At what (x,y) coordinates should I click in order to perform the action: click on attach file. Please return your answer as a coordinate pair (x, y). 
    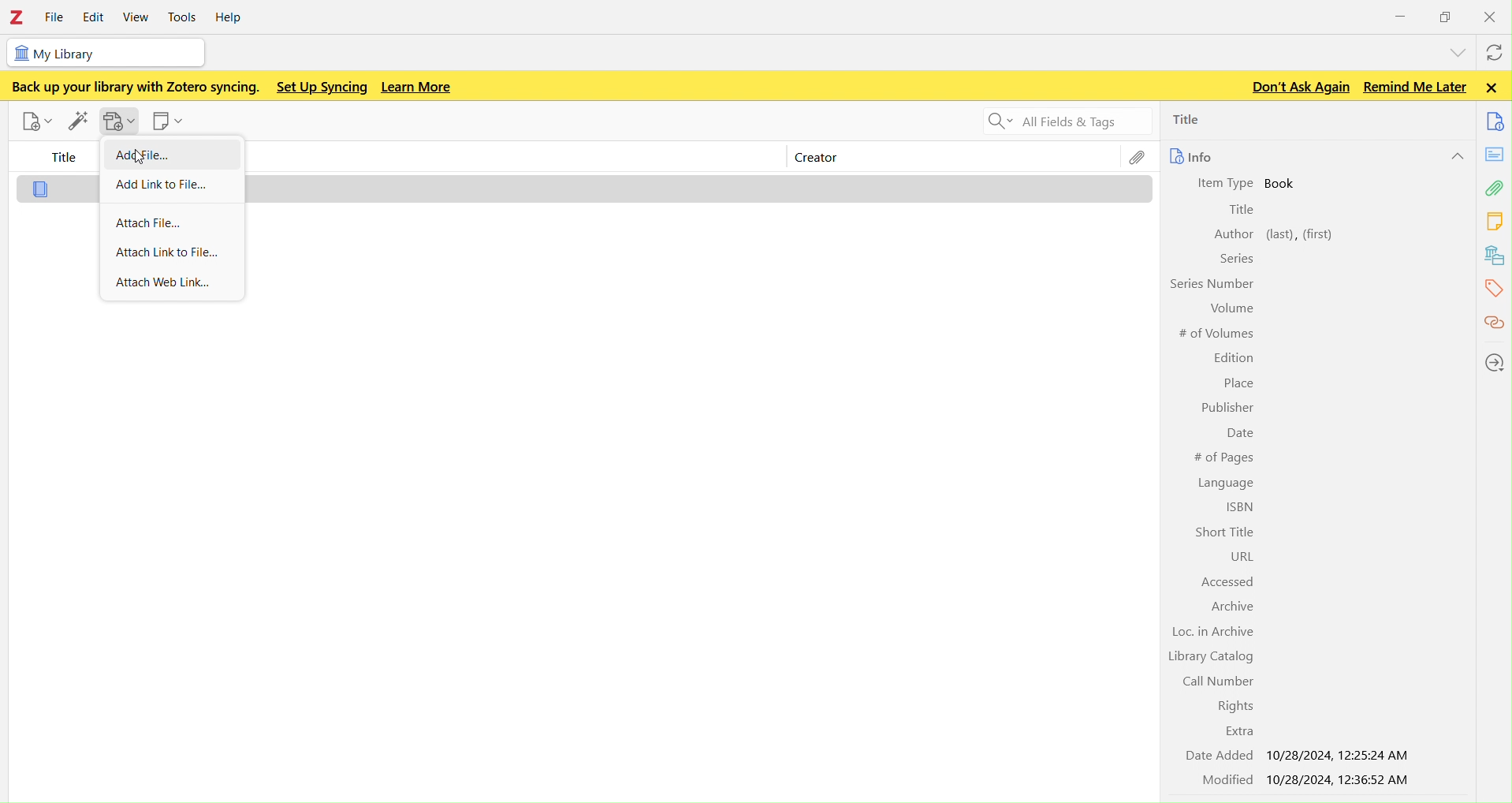
    Looking at the image, I should click on (177, 222).